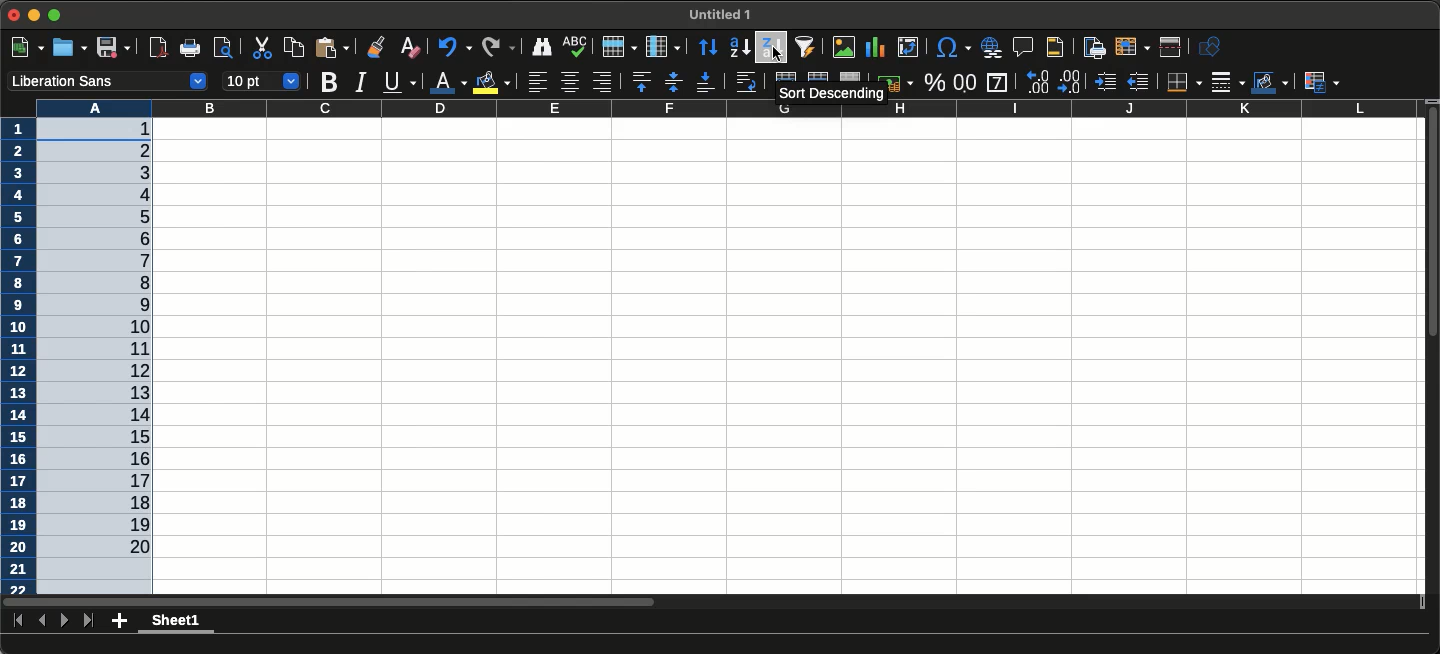 The image size is (1440, 654). What do you see at coordinates (56, 15) in the screenshot?
I see `Expand` at bounding box center [56, 15].